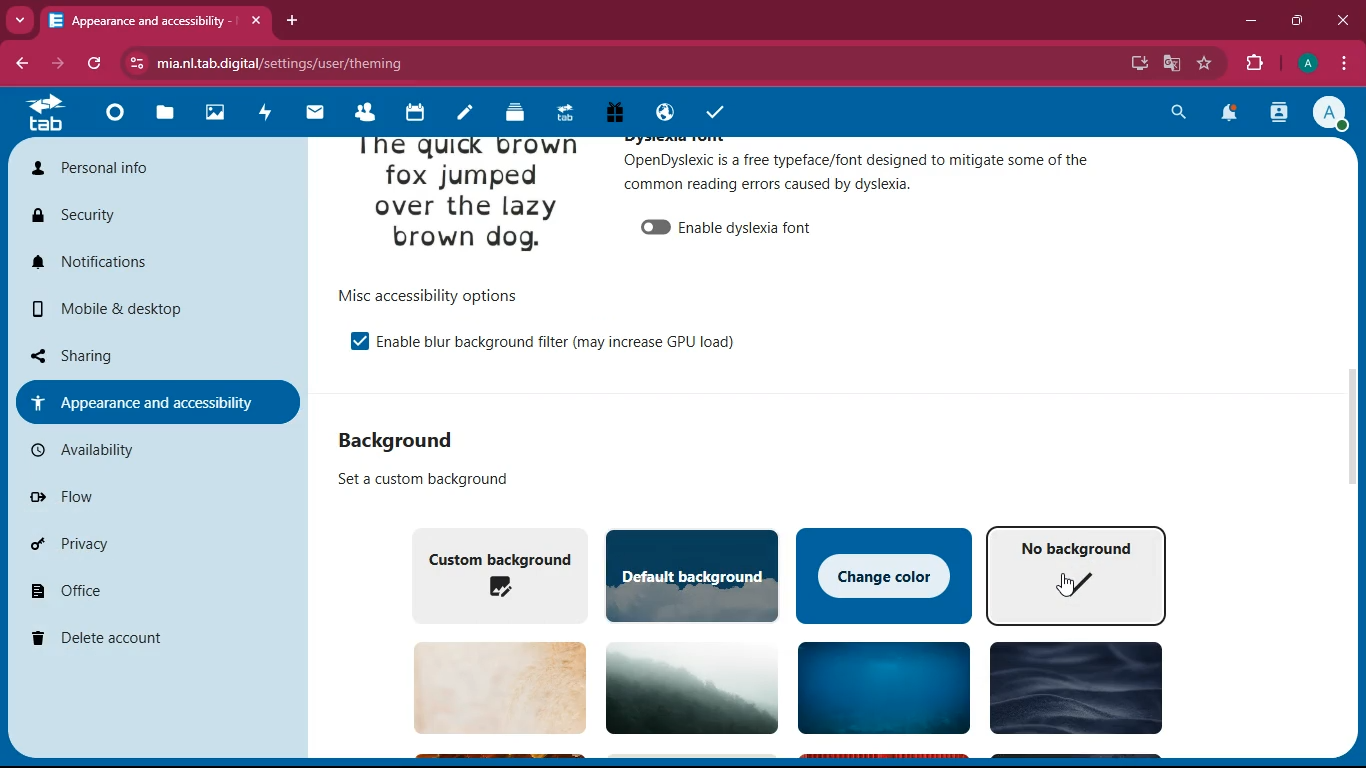 The image size is (1366, 768). I want to click on privacy, so click(137, 544).